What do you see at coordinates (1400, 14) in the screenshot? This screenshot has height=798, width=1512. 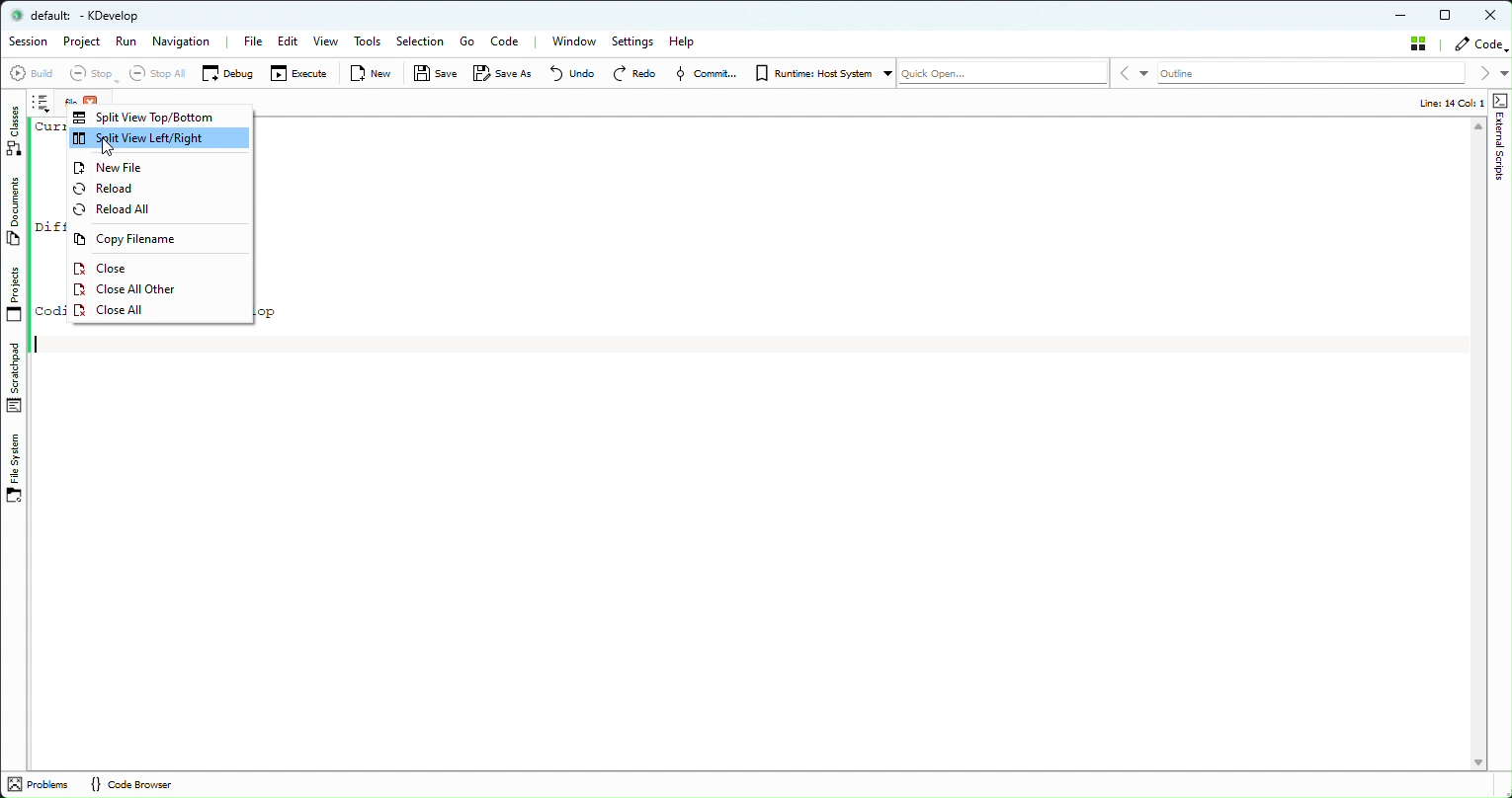 I see `minimize` at bounding box center [1400, 14].